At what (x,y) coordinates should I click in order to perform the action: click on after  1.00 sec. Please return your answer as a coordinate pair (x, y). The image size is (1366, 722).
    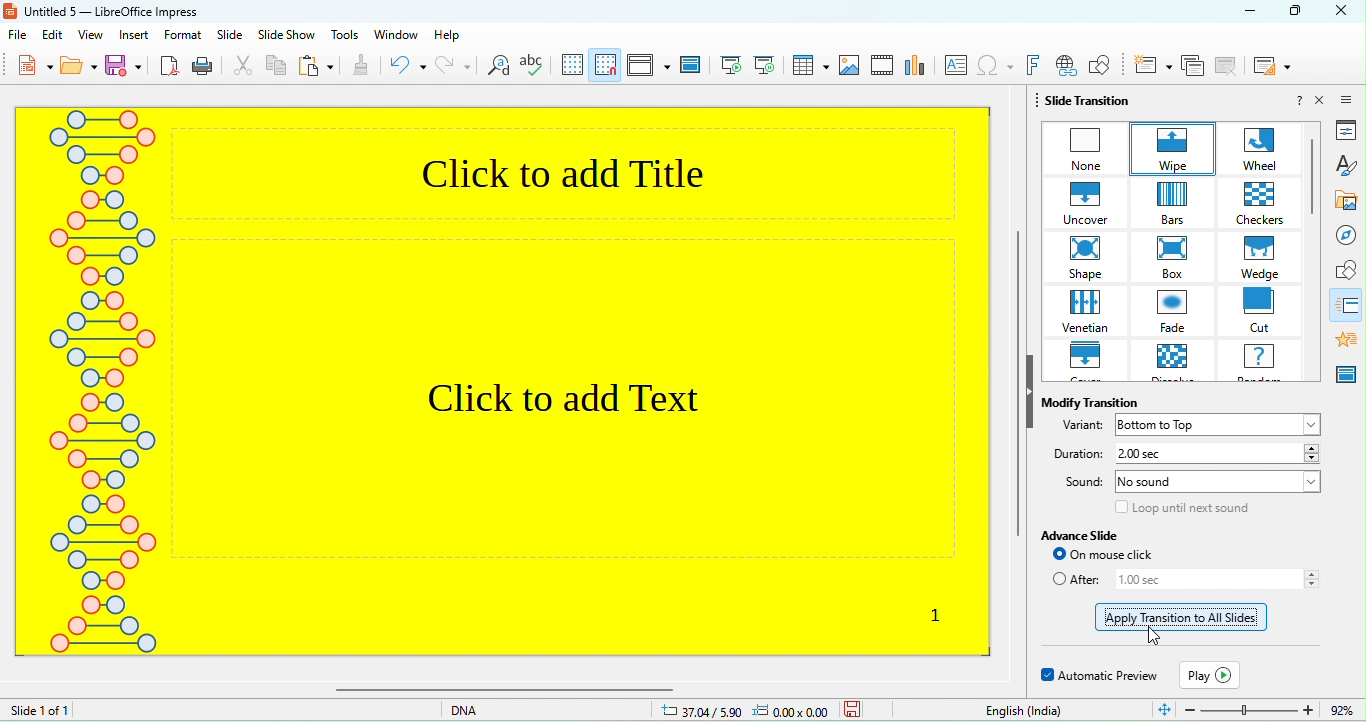
    Looking at the image, I should click on (1187, 582).